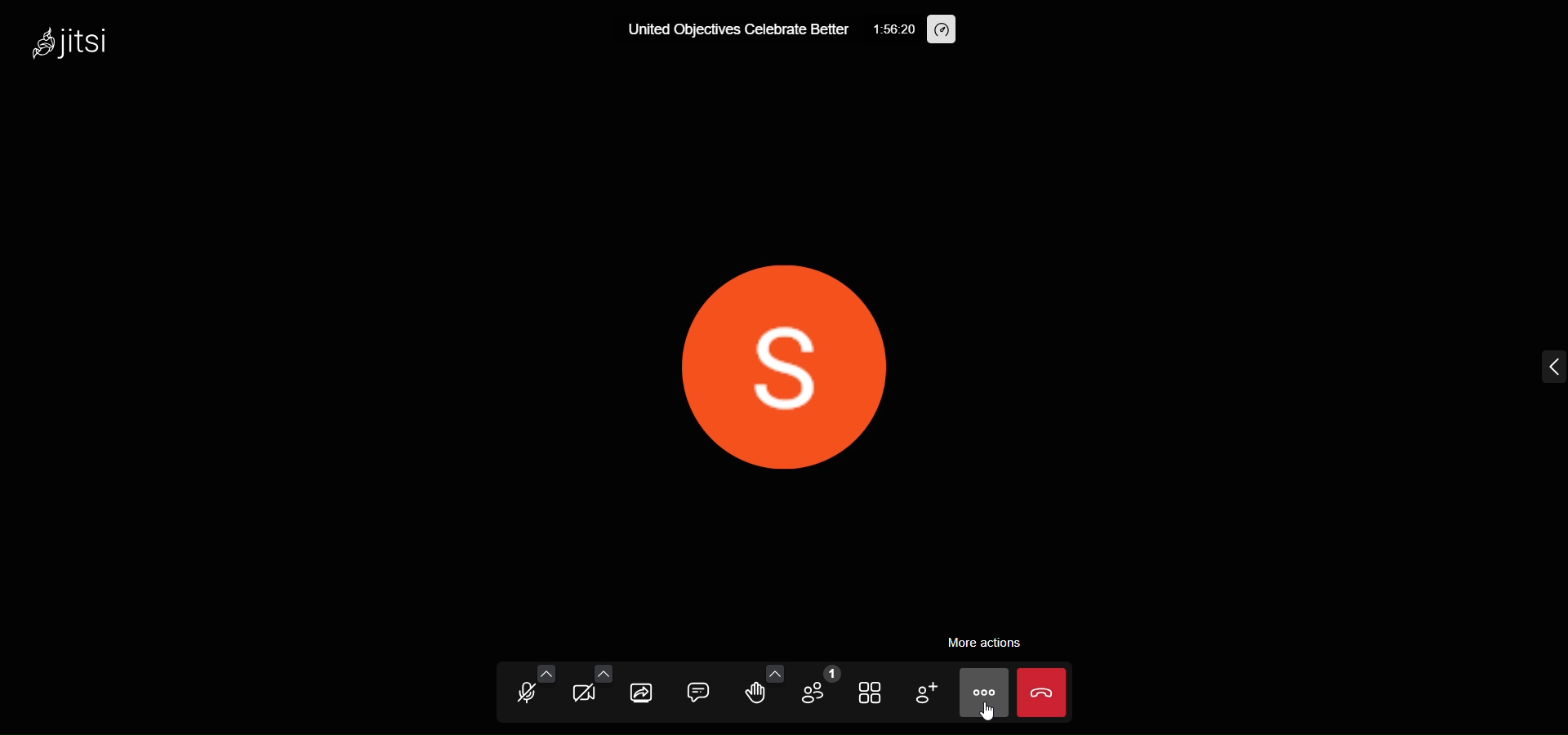 This screenshot has height=735, width=1568. What do you see at coordinates (871, 693) in the screenshot?
I see `tile view` at bounding box center [871, 693].